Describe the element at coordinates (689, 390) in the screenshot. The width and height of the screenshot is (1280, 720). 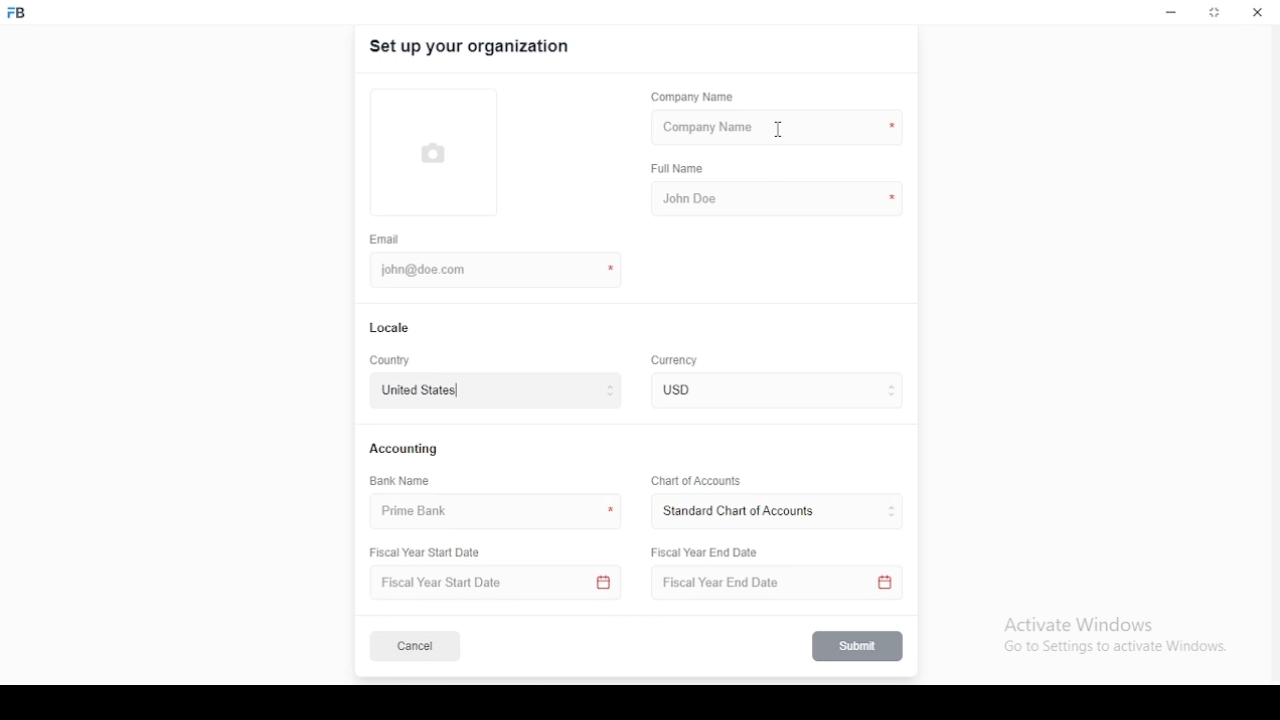
I see `currency` at that location.